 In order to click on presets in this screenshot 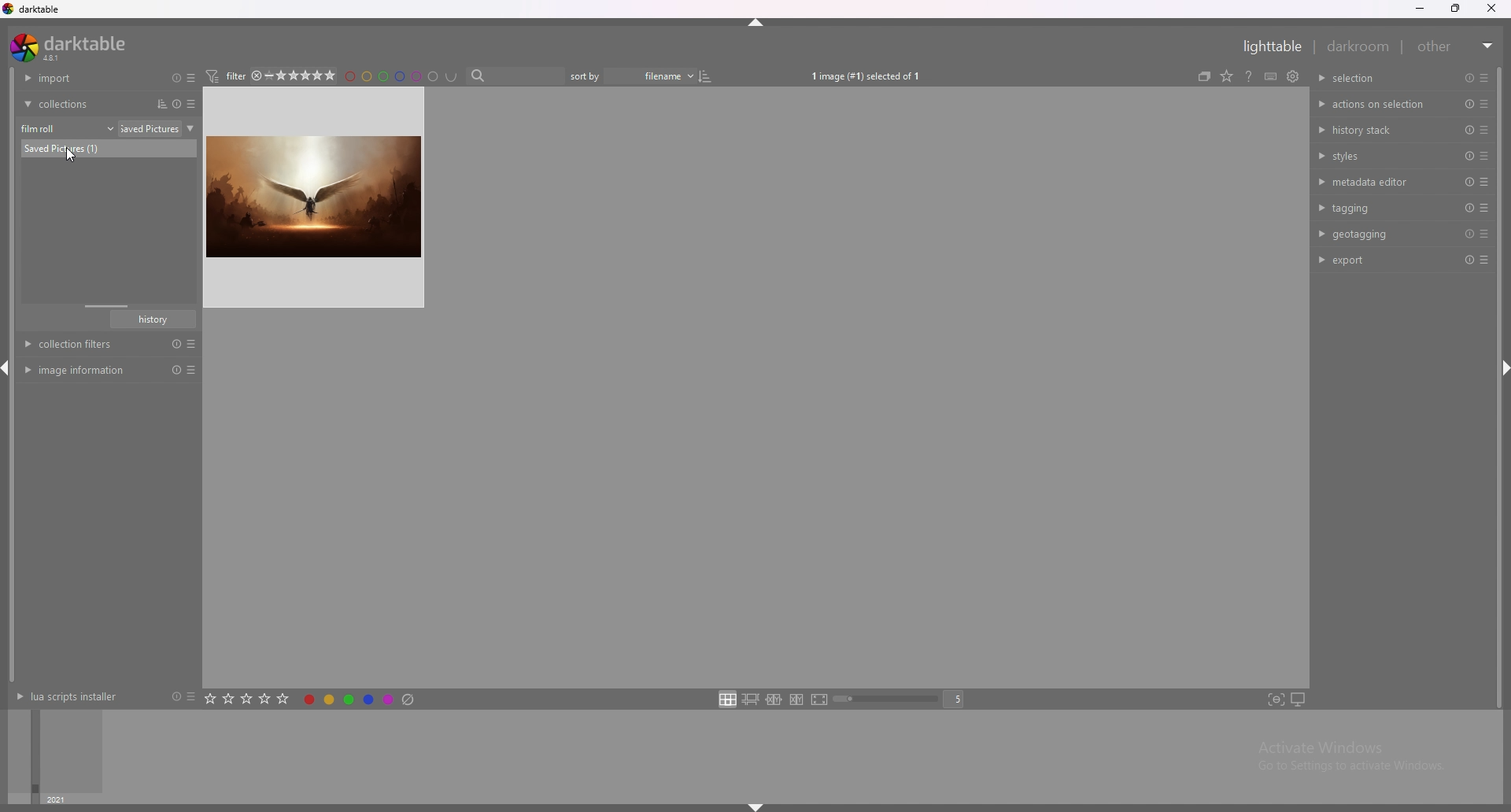, I will do `click(1484, 155)`.